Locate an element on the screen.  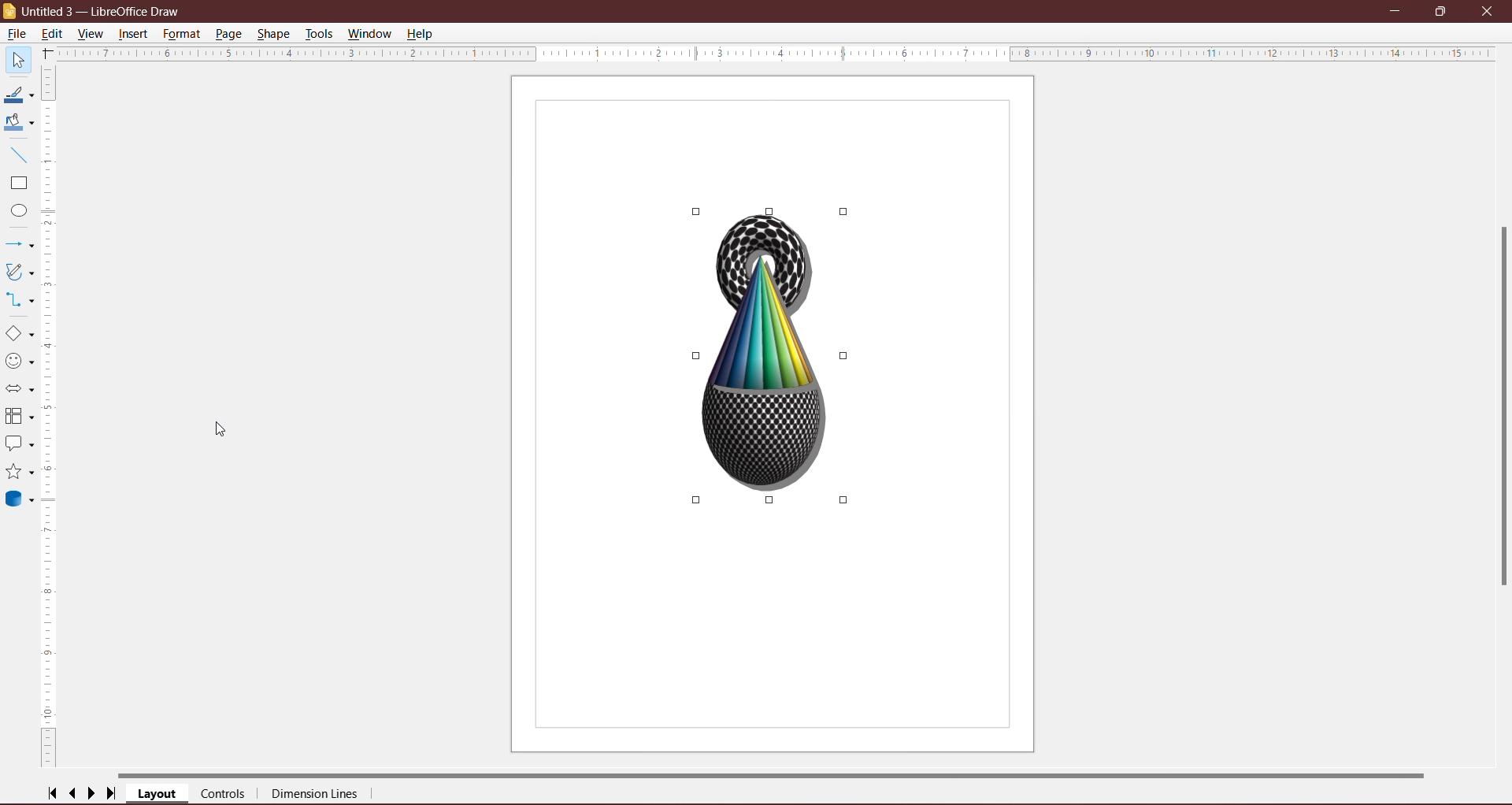
Controls is located at coordinates (223, 794).